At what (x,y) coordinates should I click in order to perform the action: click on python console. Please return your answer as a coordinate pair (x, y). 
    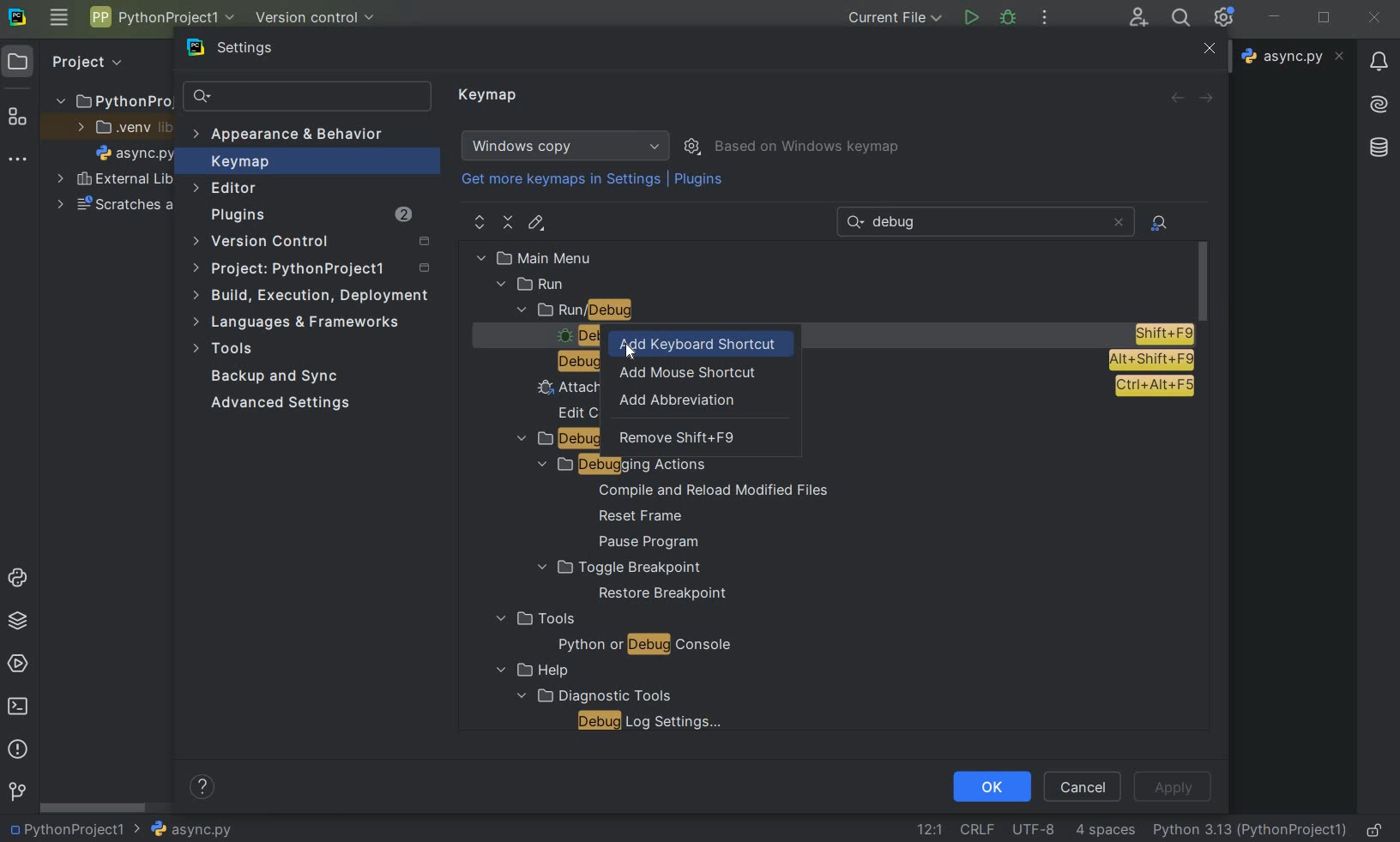
    Looking at the image, I should click on (21, 579).